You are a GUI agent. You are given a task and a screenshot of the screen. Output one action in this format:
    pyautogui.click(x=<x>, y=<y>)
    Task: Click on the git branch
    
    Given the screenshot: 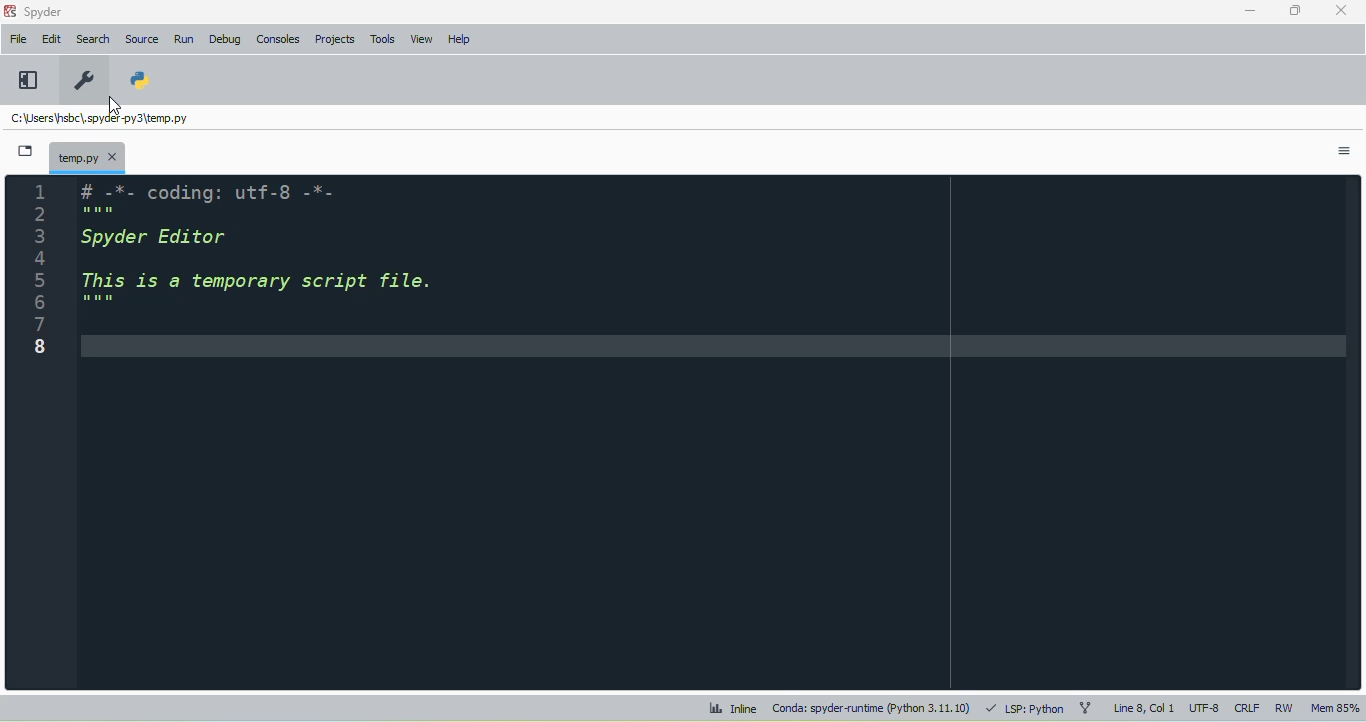 What is the action you would take?
    pyautogui.click(x=1084, y=708)
    